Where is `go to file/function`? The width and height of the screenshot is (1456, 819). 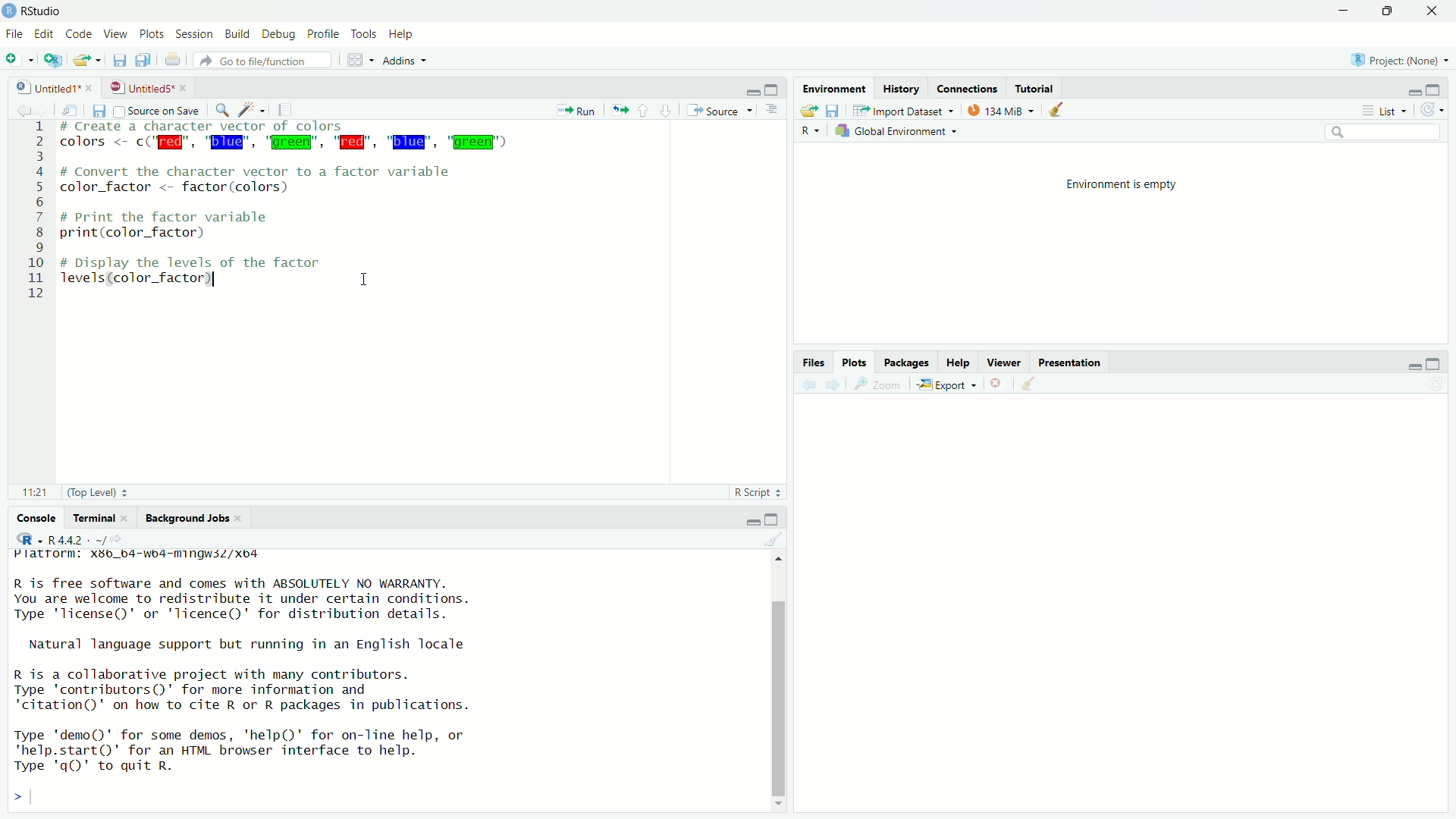 go to file/function is located at coordinates (262, 61).